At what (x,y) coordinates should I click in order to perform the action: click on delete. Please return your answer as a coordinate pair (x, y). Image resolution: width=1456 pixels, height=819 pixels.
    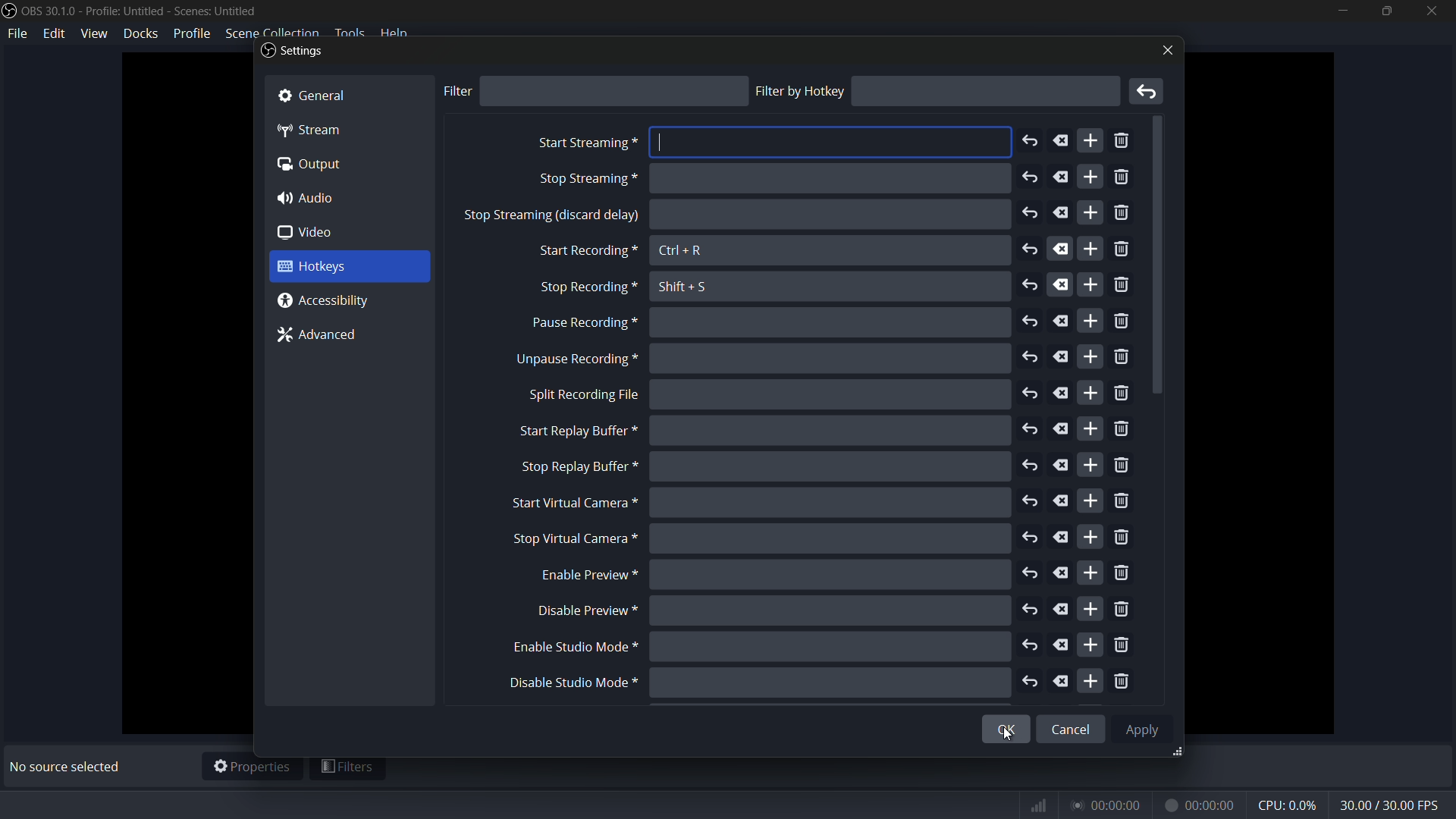
    Looking at the image, I should click on (1061, 285).